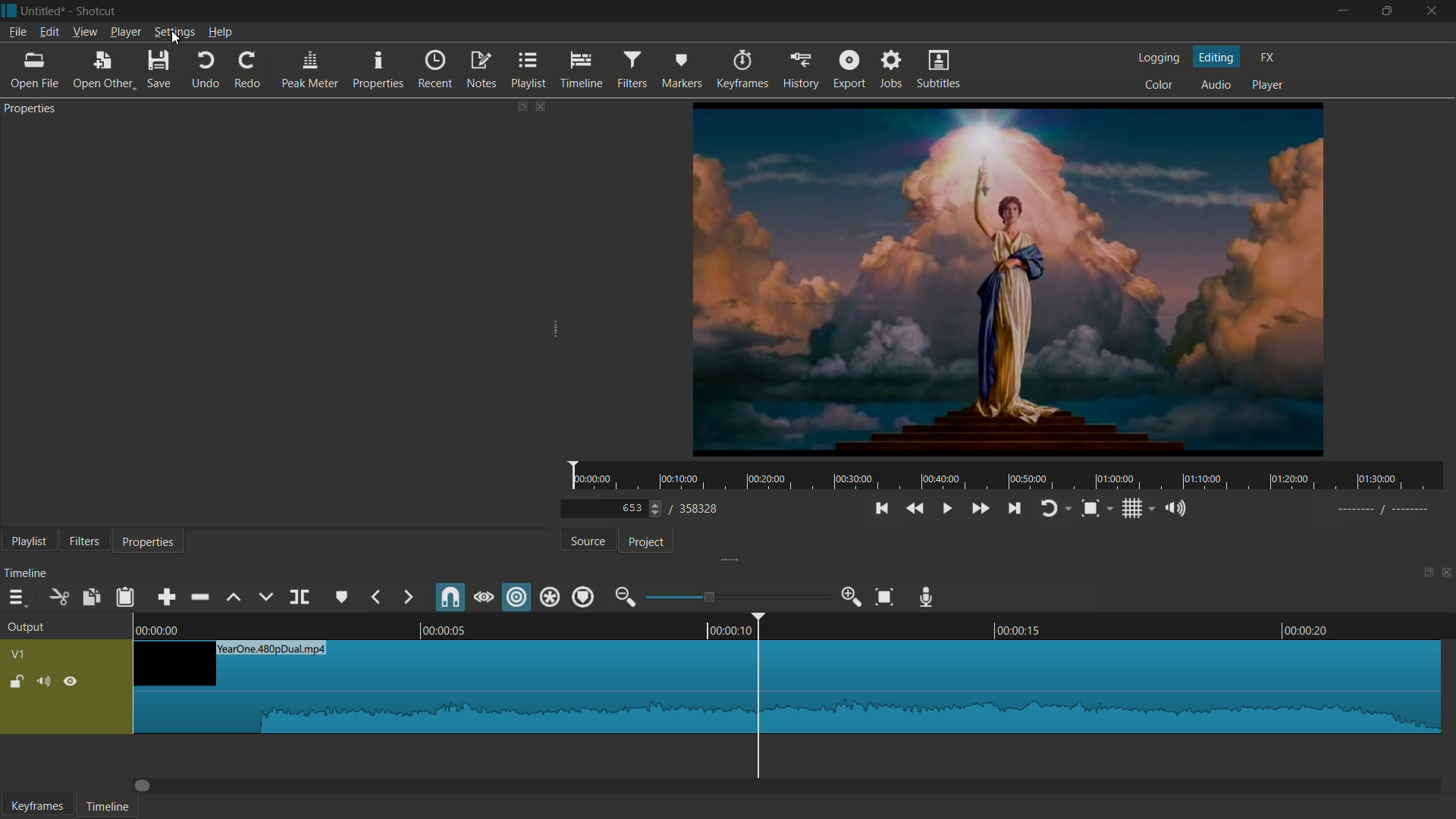 Image resolution: width=1456 pixels, height=819 pixels. Describe the element at coordinates (436, 68) in the screenshot. I see `recent` at that location.